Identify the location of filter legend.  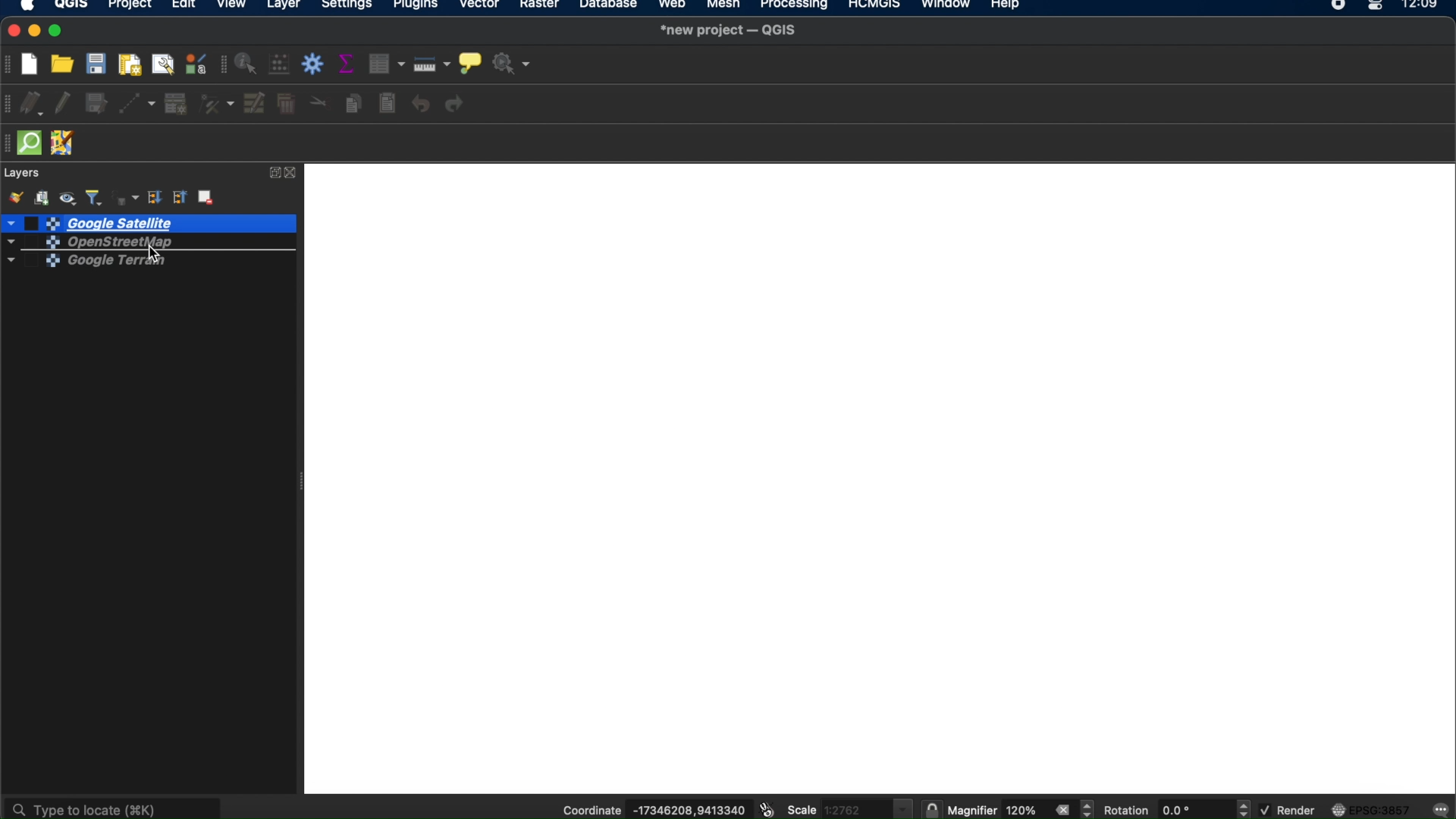
(95, 196).